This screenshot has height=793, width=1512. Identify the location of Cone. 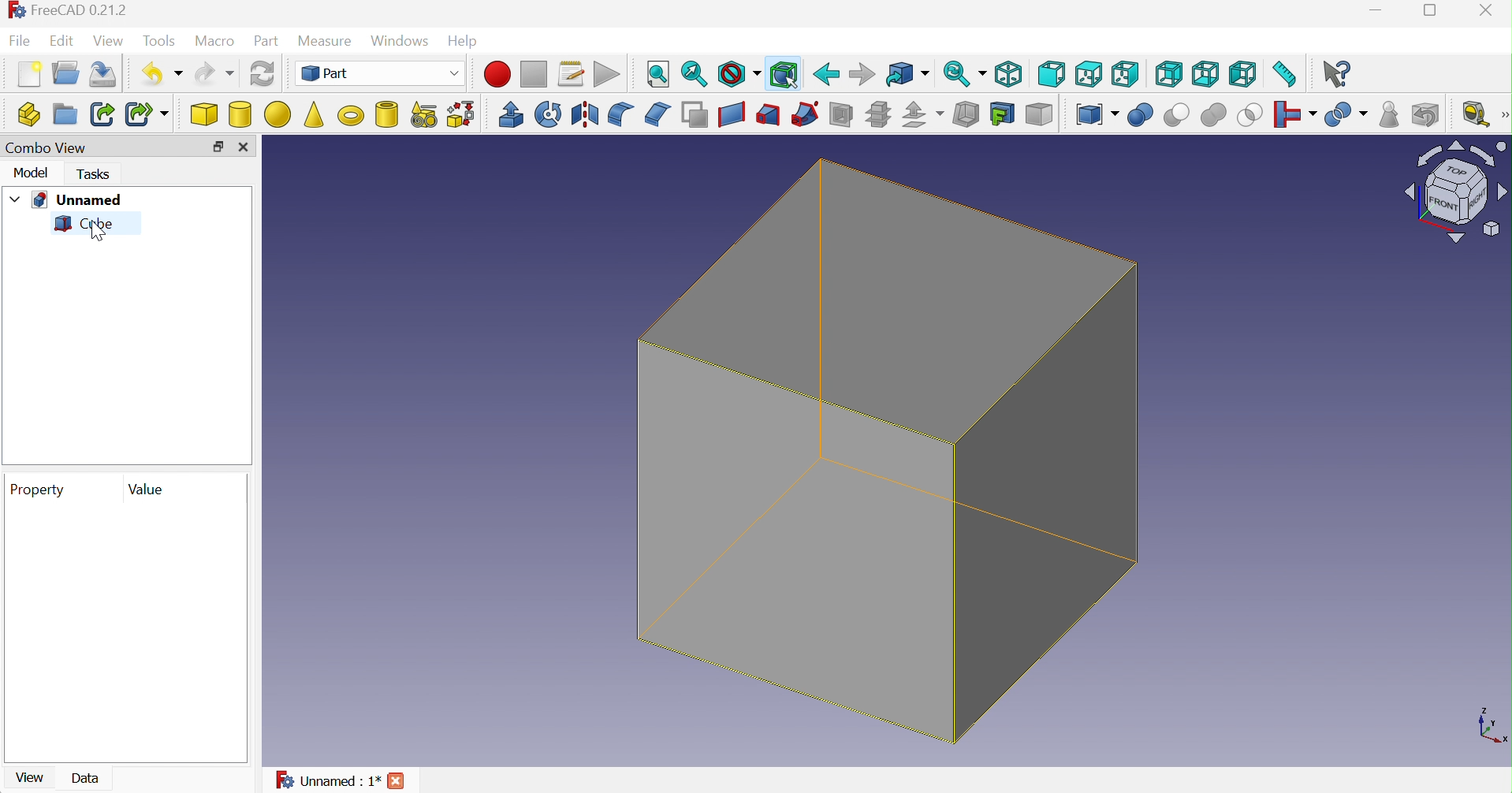
(316, 114).